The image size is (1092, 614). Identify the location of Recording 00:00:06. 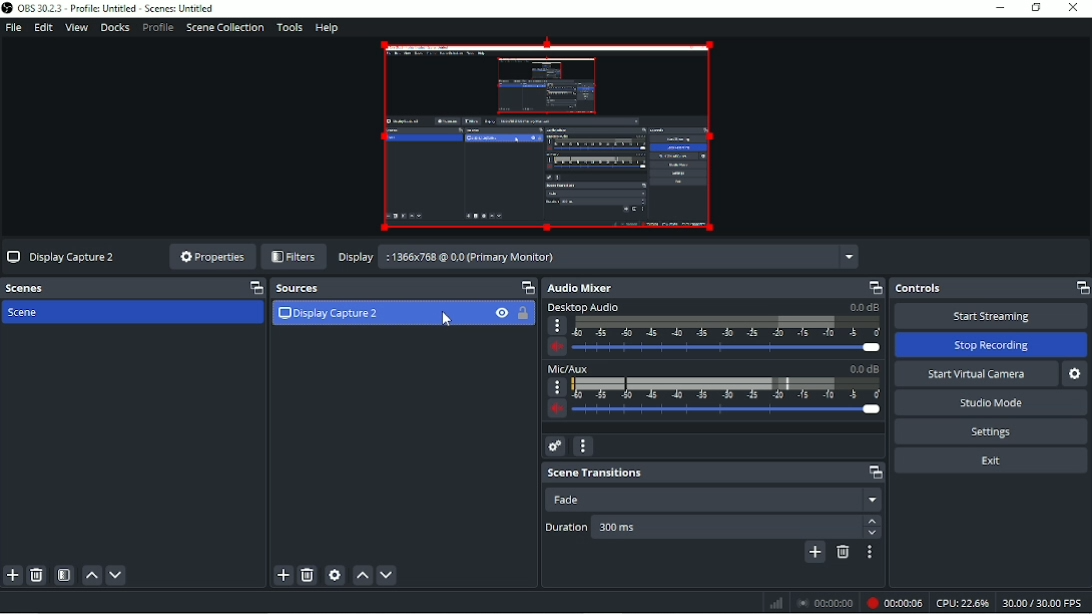
(892, 603).